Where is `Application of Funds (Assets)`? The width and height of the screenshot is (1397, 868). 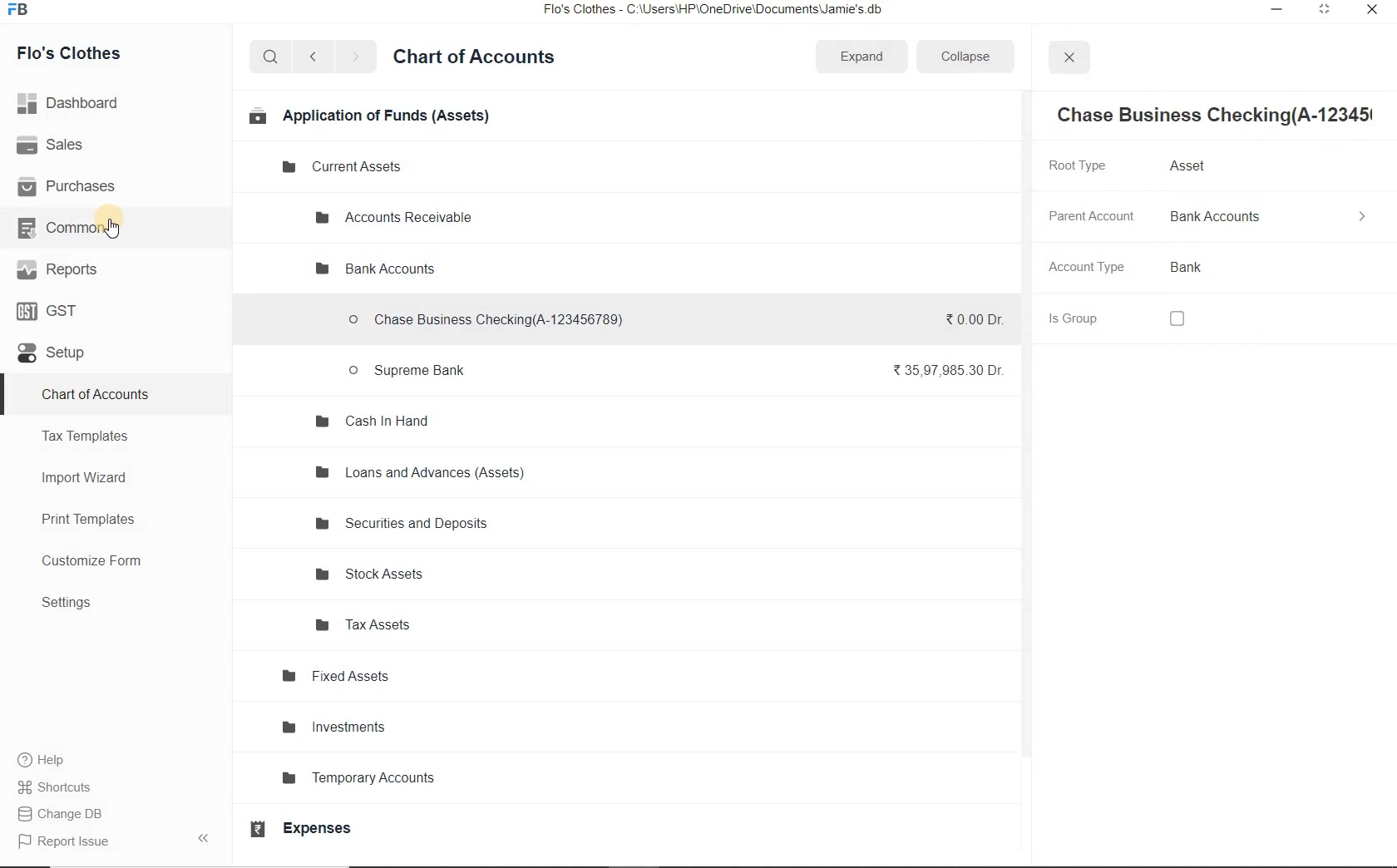 Application of Funds (Assets) is located at coordinates (372, 116).